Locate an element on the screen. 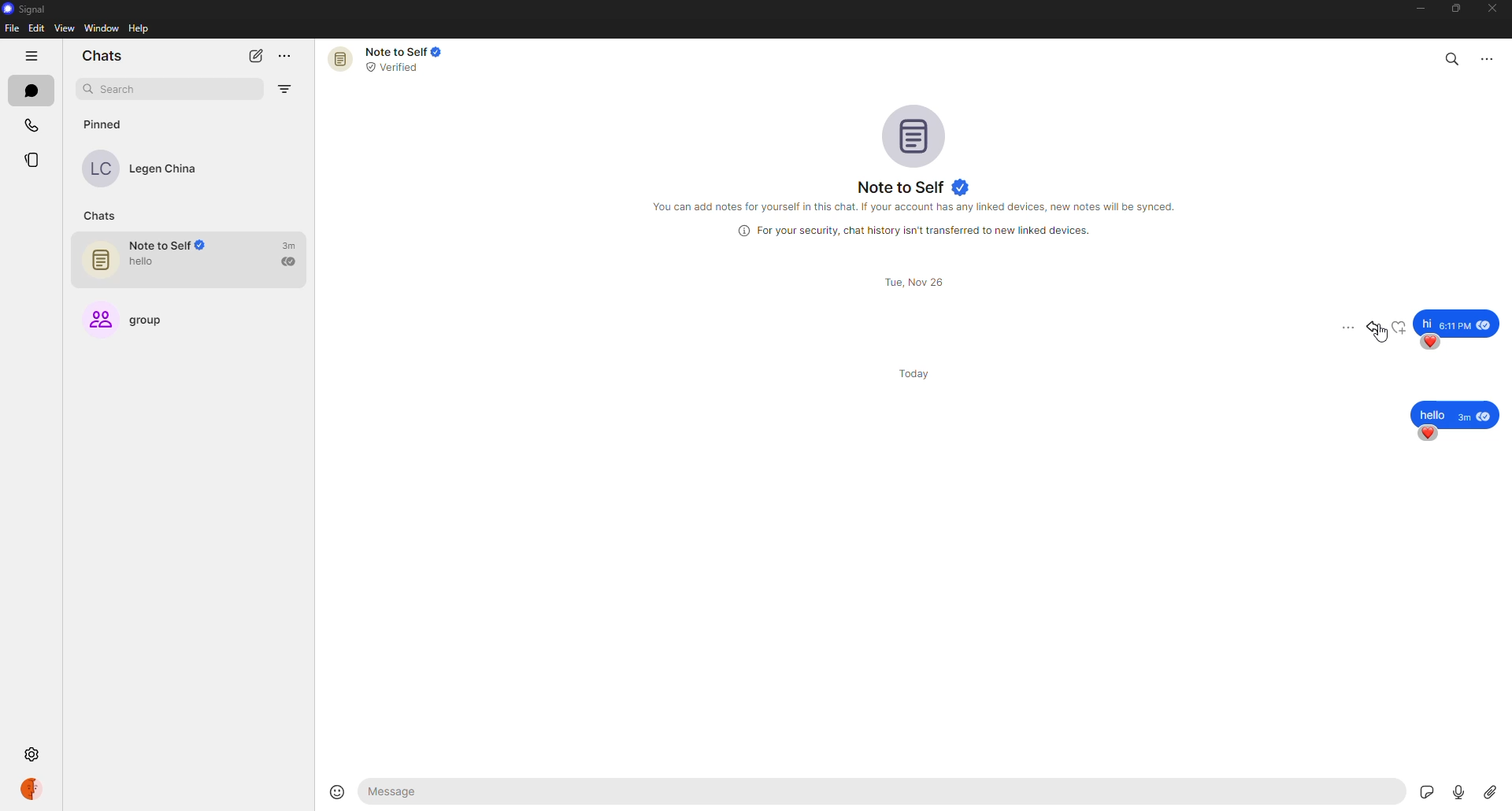 The height and width of the screenshot is (811, 1512). signal is located at coordinates (26, 9).